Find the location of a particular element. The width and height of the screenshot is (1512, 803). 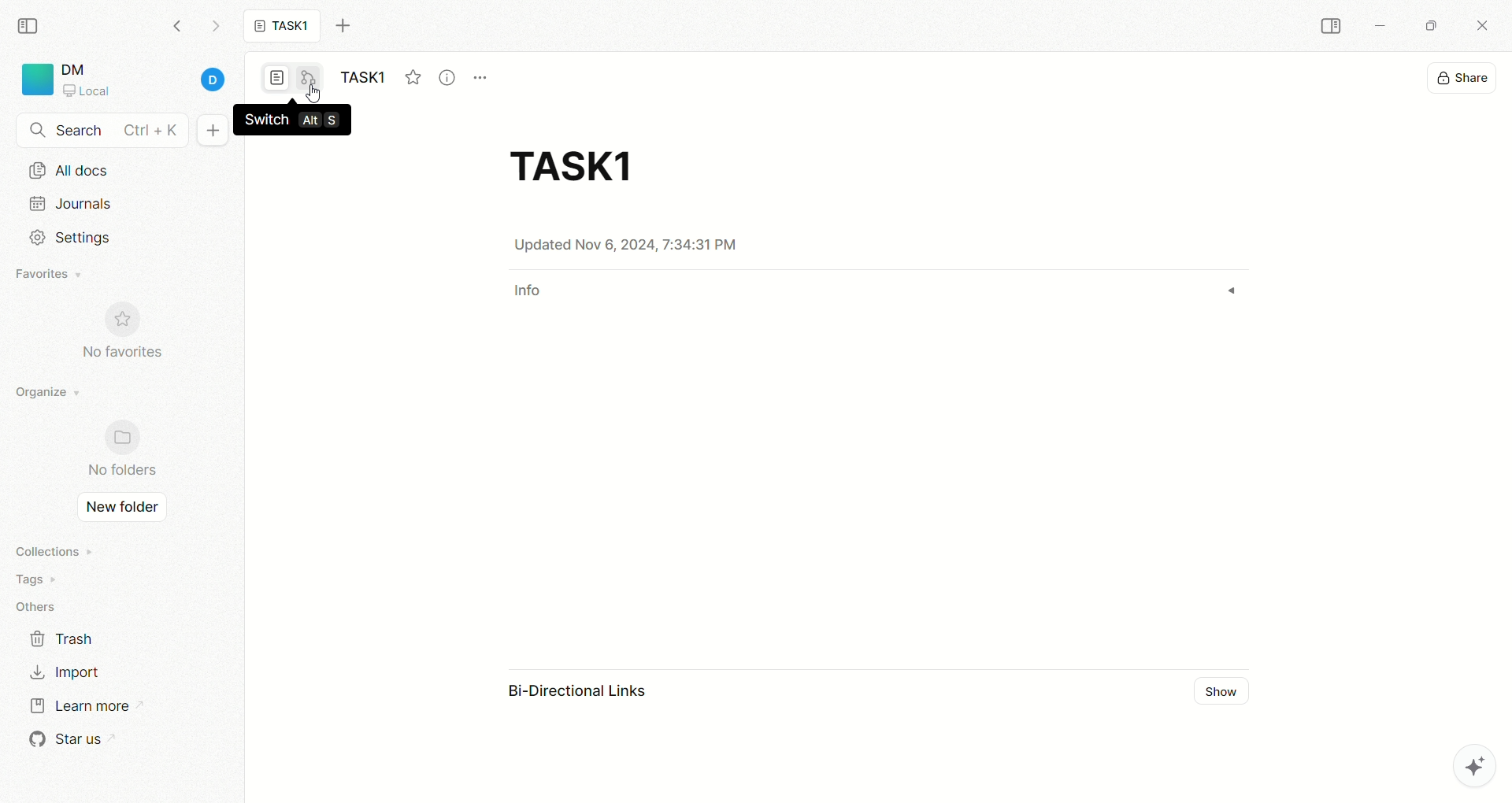

edgeless mode is located at coordinates (309, 77).